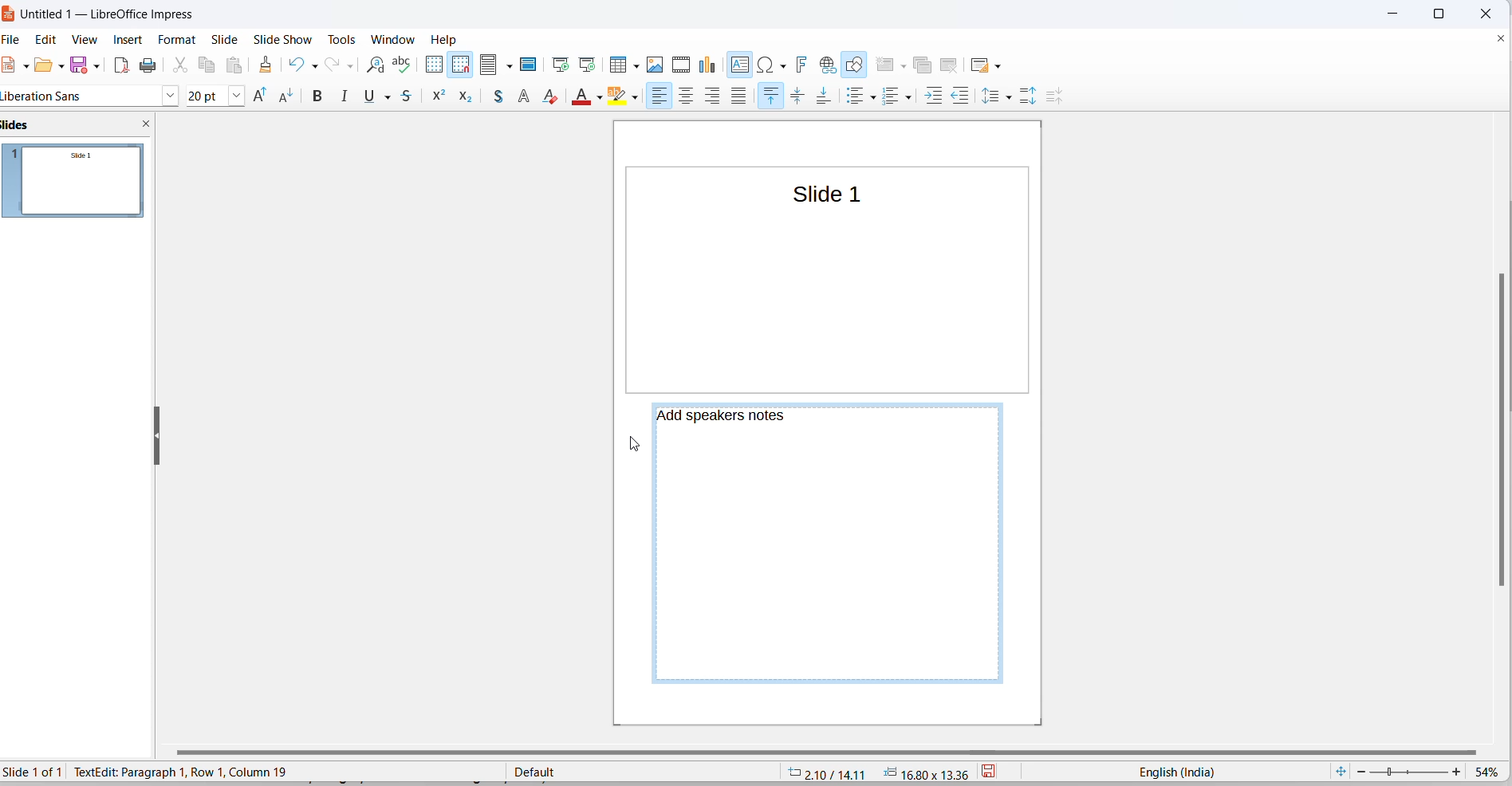 This screenshot has height=786, width=1512. What do you see at coordinates (657, 66) in the screenshot?
I see `insert images` at bounding box center [657, 66].